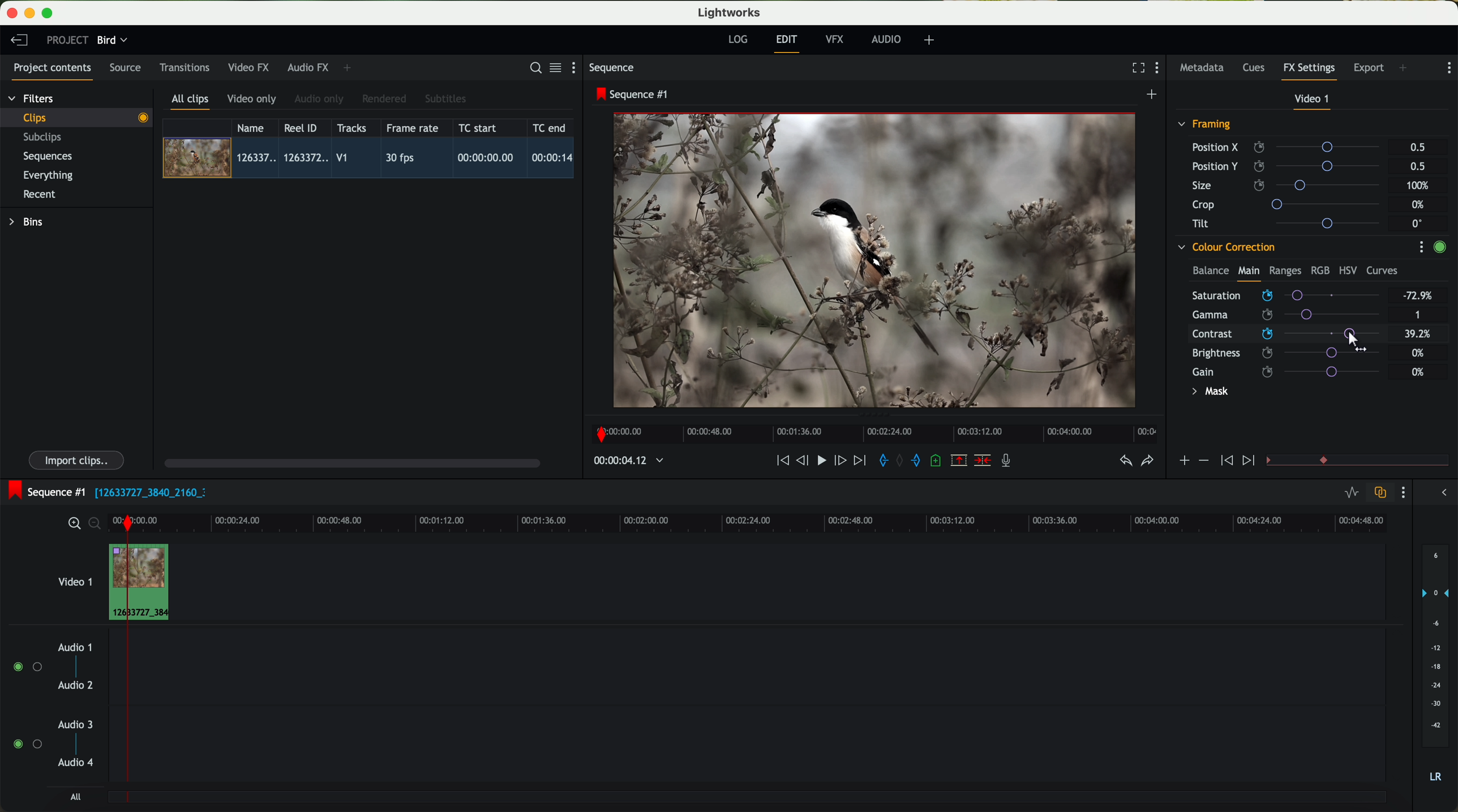  I want to click on show settings menu, so click(1448, 68).